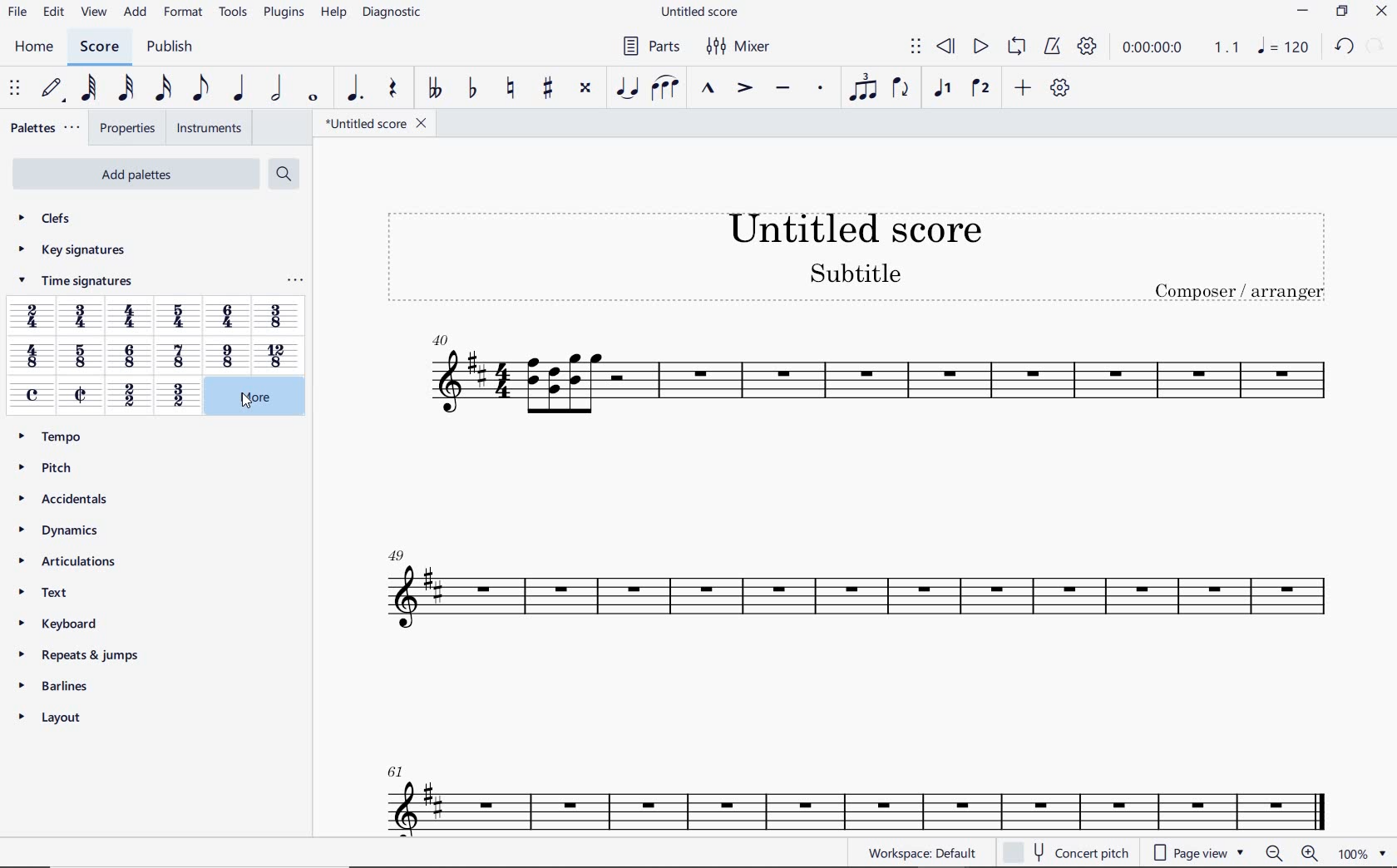 Image resolution: width=1397 pixels, height=868 pixels. I want to click on TIE, so click(627, 86).